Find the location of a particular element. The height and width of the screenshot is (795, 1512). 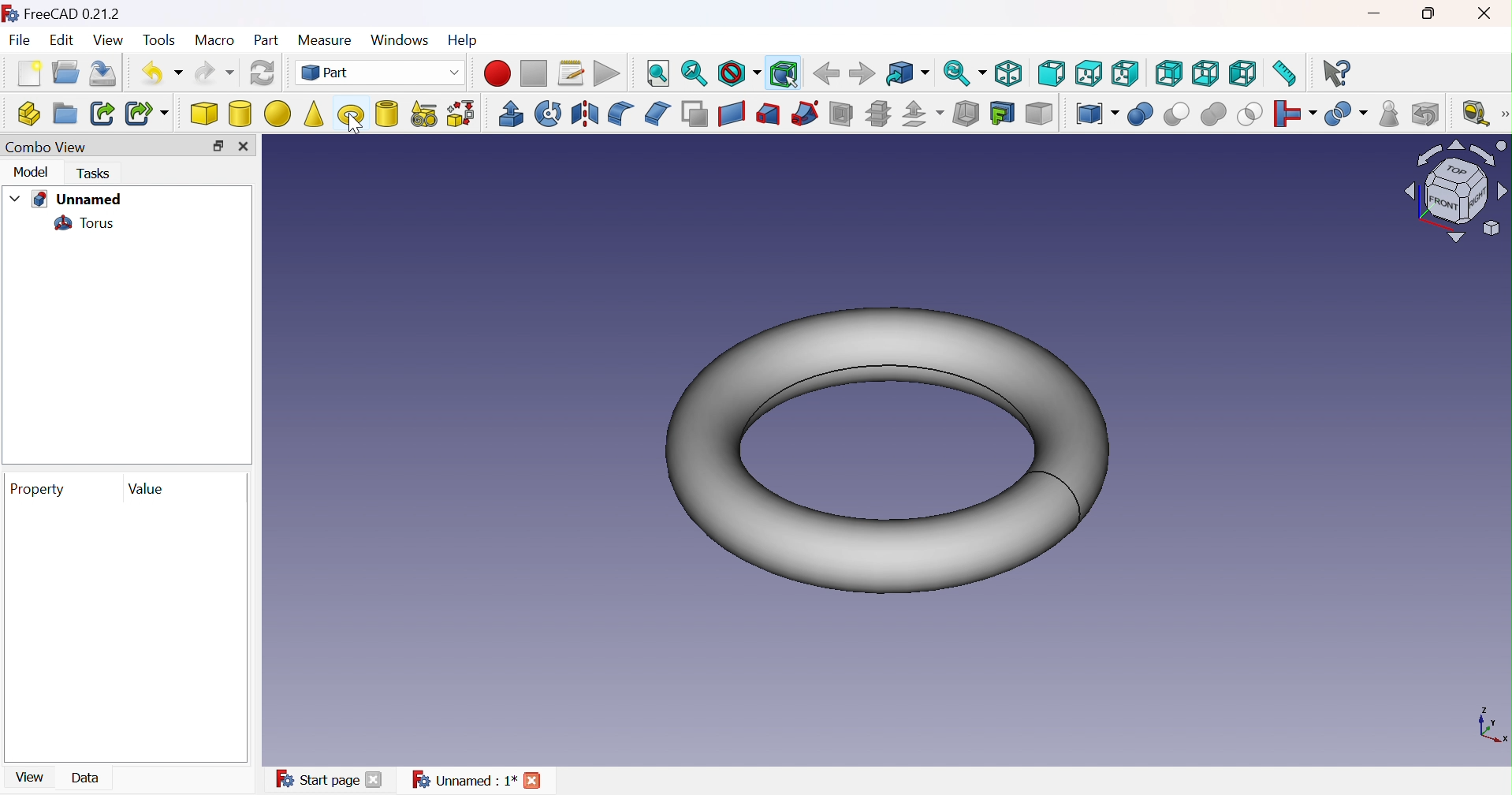

Torus is located at coordinates (348, 114).